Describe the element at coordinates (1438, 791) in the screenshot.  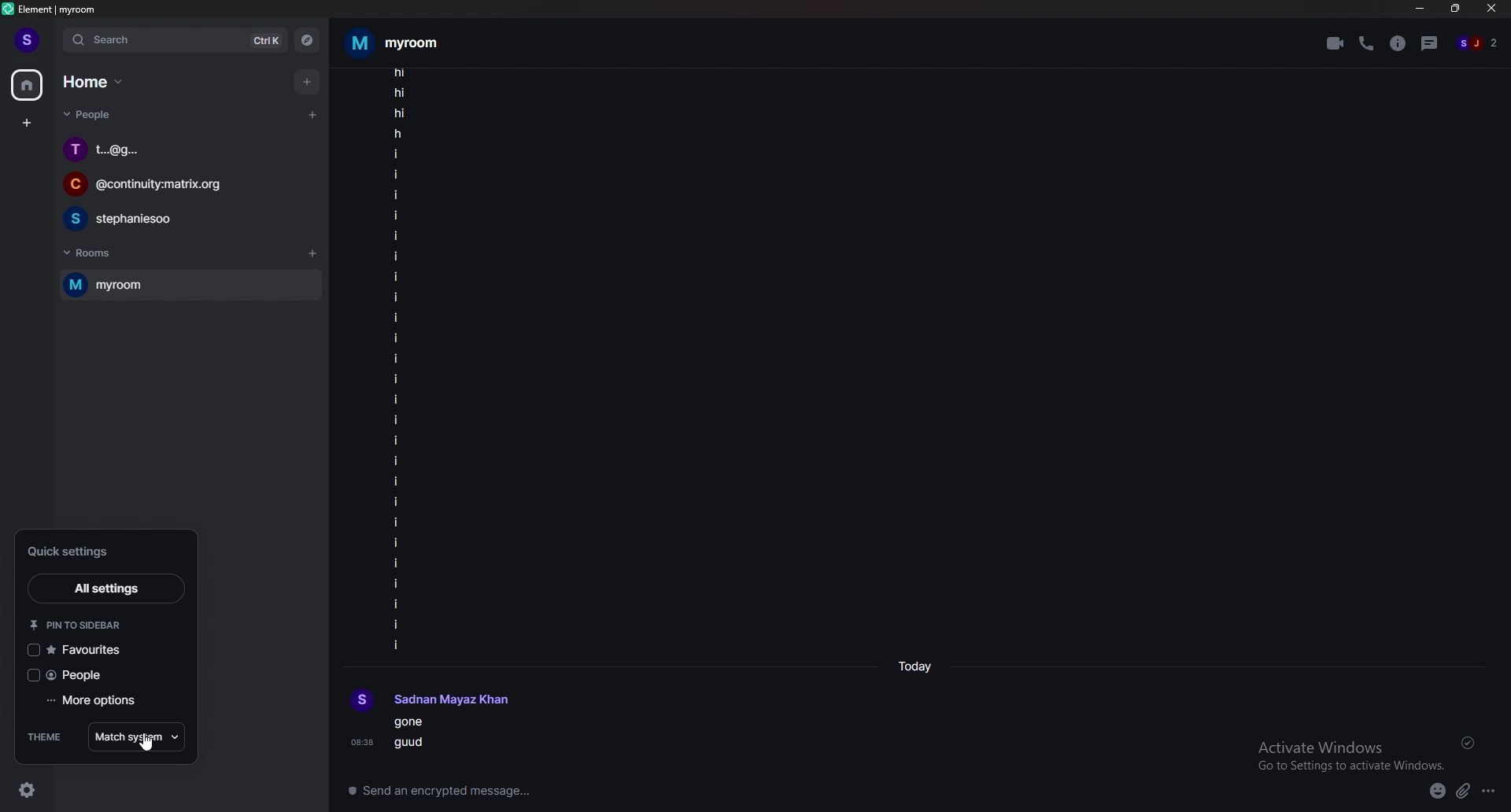
I see `emoji` at that location.